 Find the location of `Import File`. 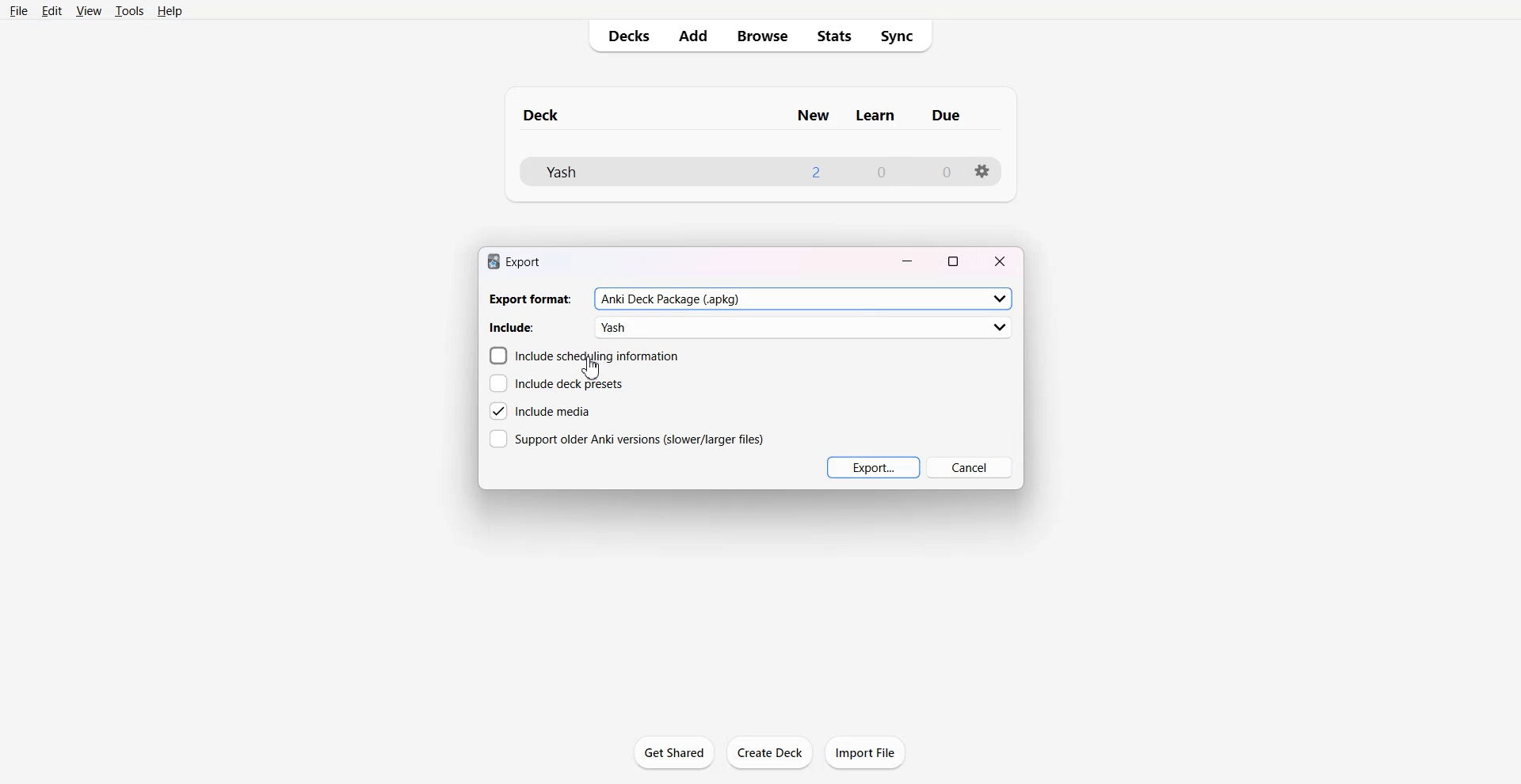

Import File is located at coordinates (866, 752).